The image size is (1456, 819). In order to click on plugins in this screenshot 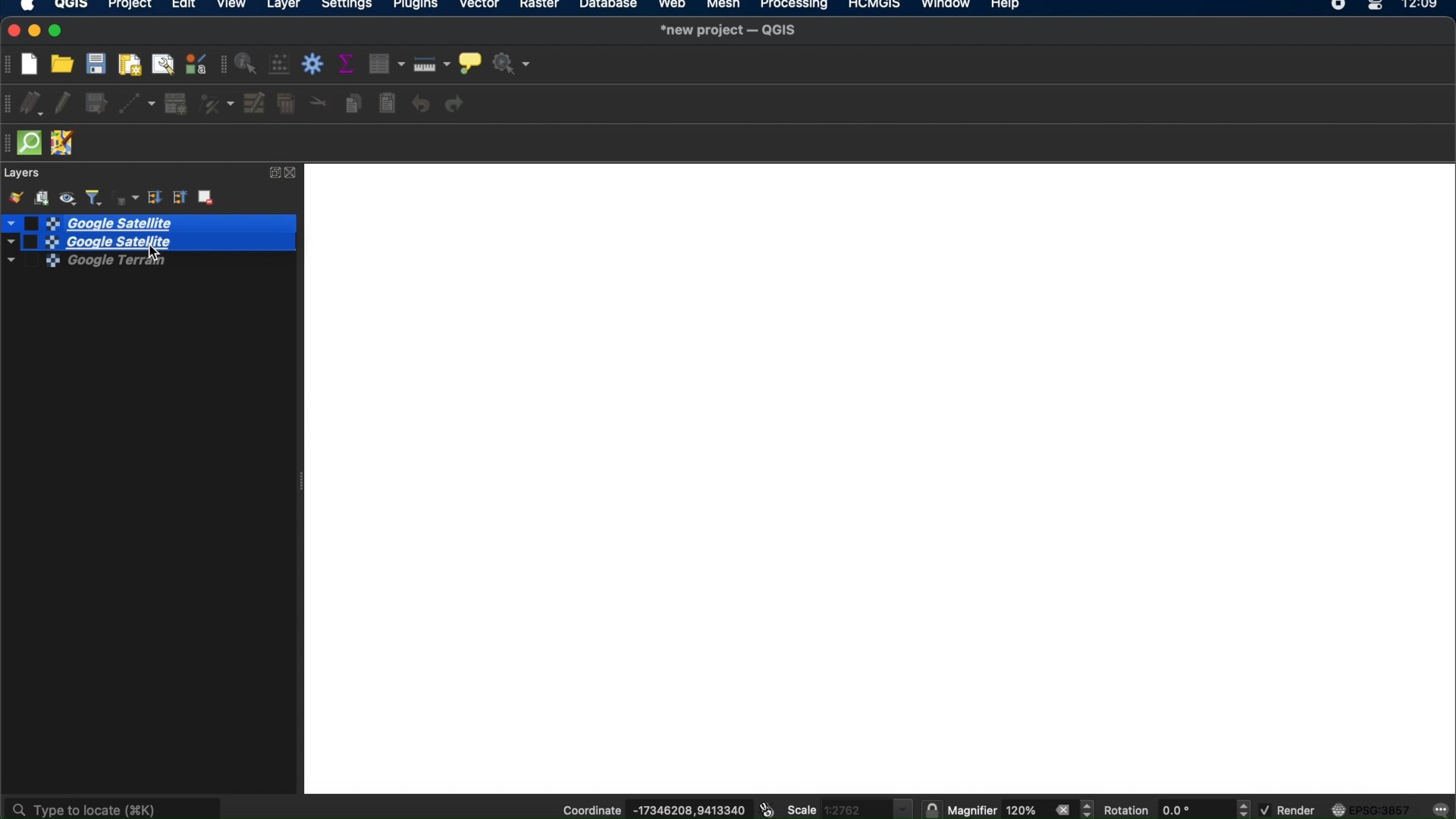, I will do `click(416, 6)`.